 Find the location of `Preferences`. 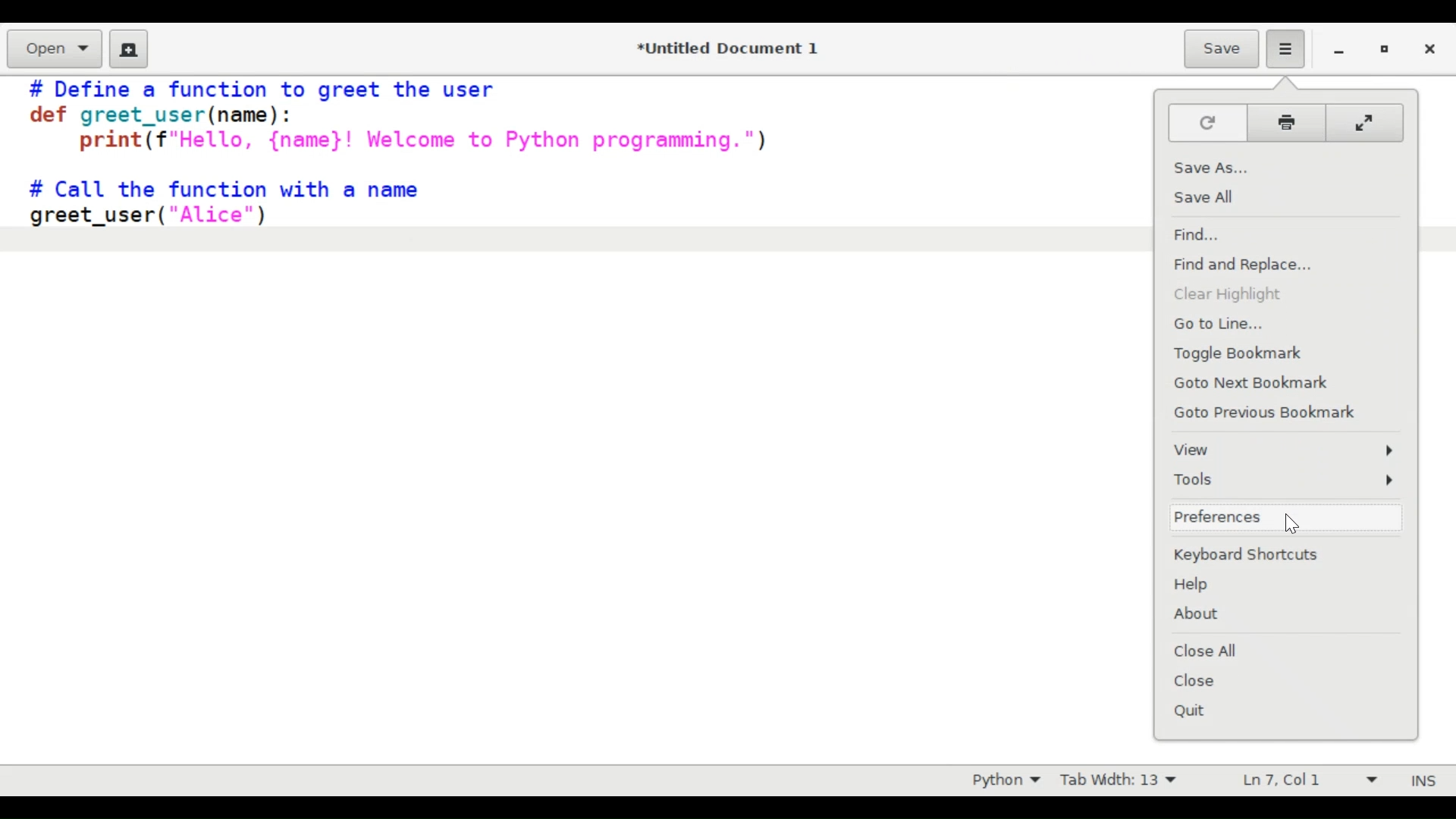

Preferences is located at coordinates (1270, 518).